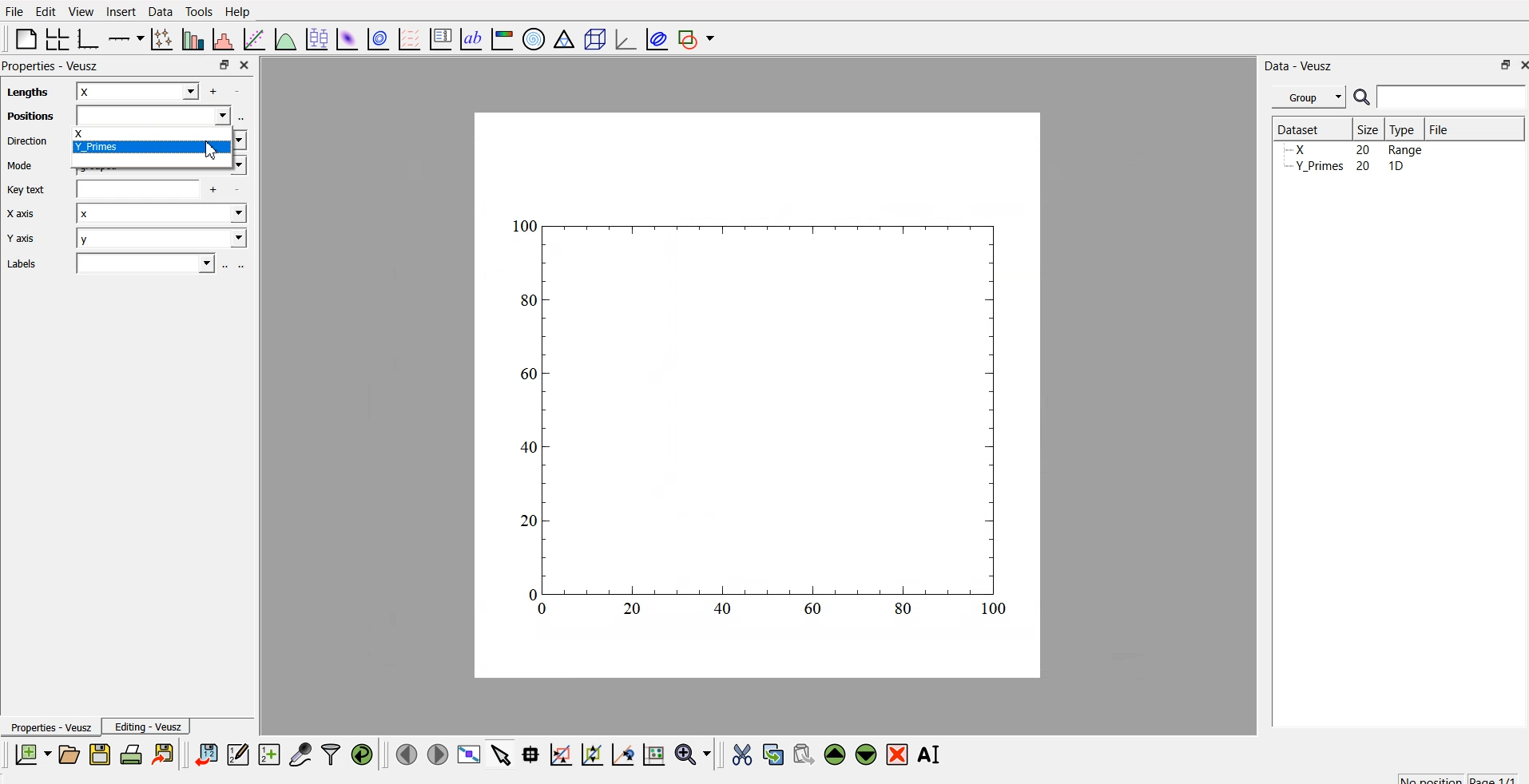 The height and width of the screenshot is (784, 1529). I want to click on close, so click(1519, 66).